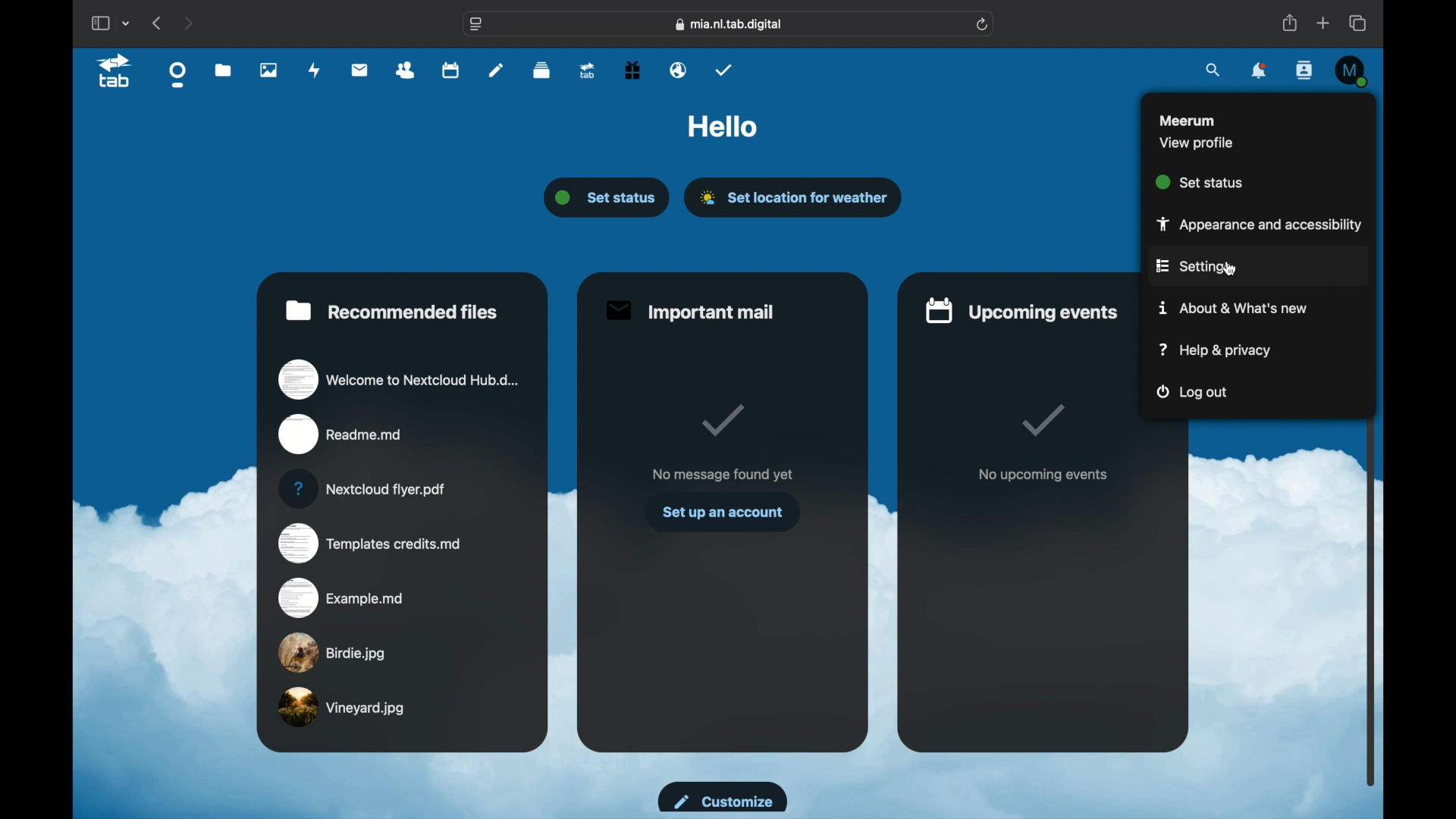 This screenshot has height=819, width=1456. I want to click on activity, so click(315, 70).